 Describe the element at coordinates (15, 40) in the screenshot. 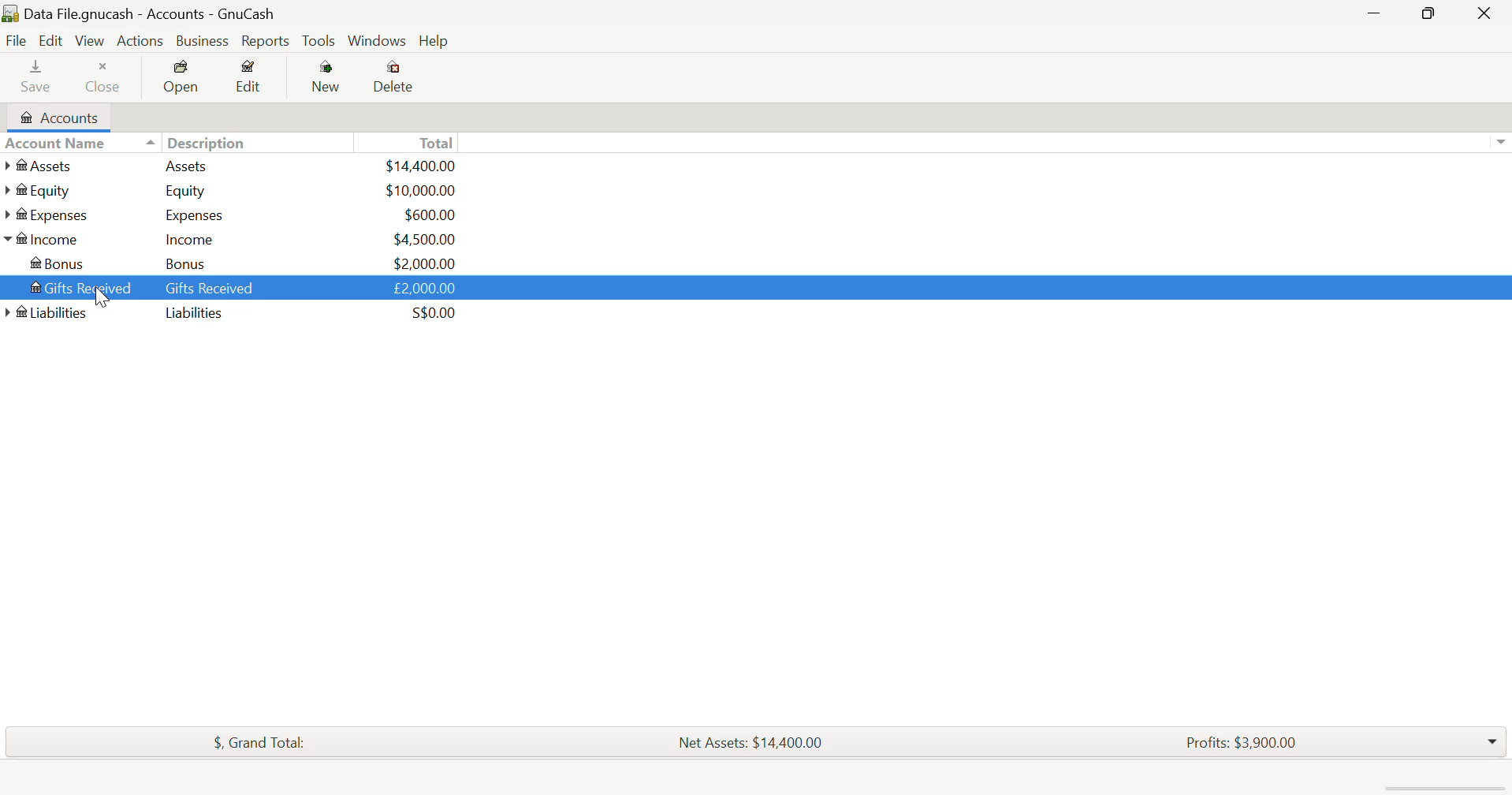

I see `File` at that location.